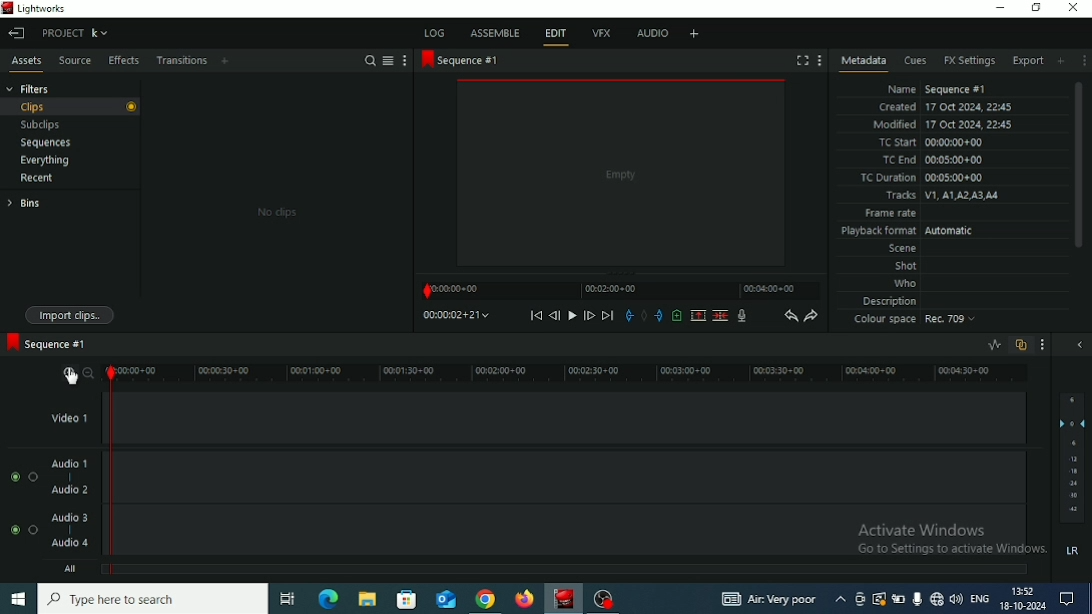 The height and width of the screenshot is (614, 1092). Describe the element at coordinates (71, 107) in the screenshot. I see `Clips` at that location.